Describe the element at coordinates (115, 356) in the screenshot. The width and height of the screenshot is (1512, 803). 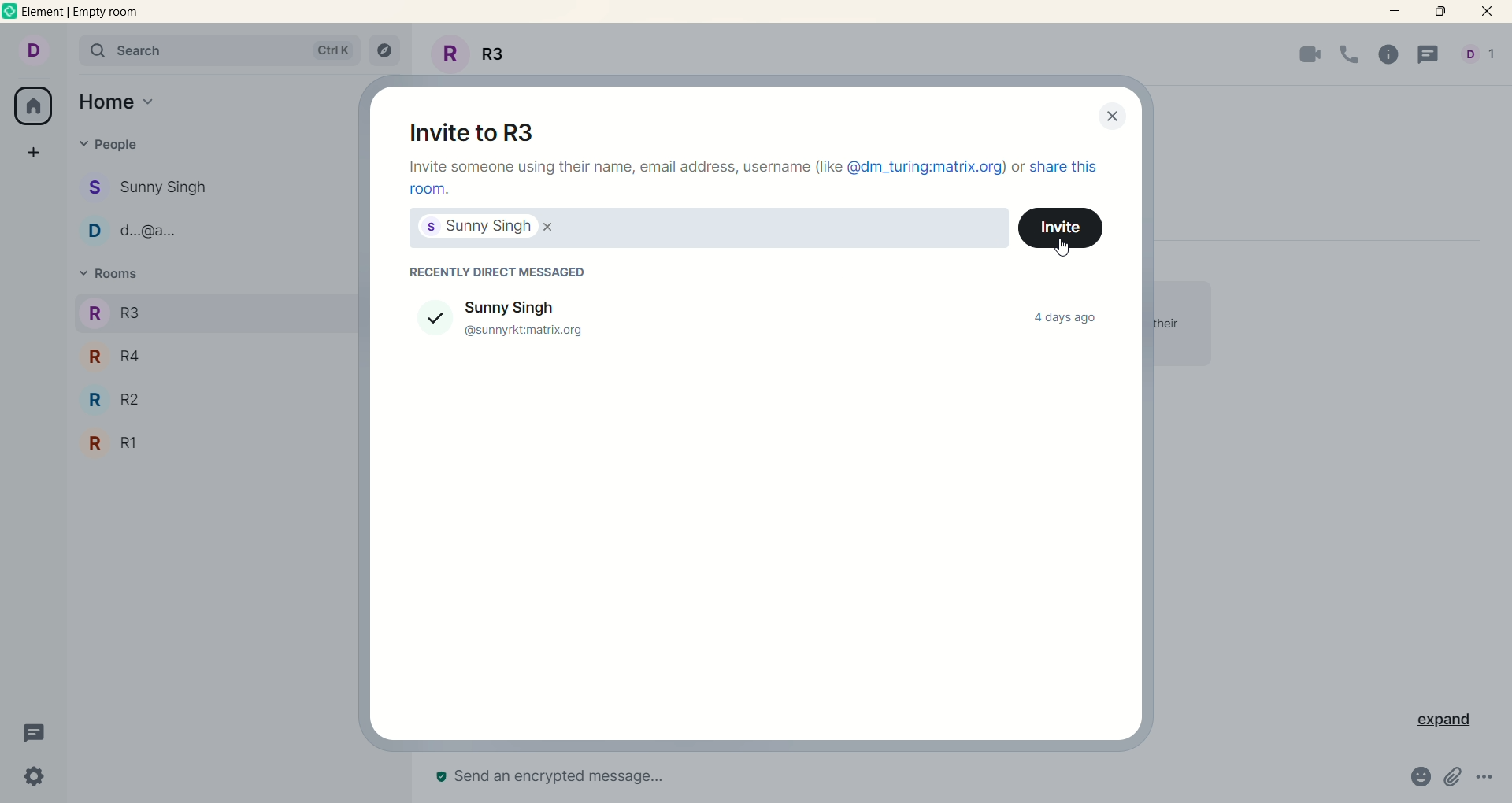
I see `R R4` at that location.